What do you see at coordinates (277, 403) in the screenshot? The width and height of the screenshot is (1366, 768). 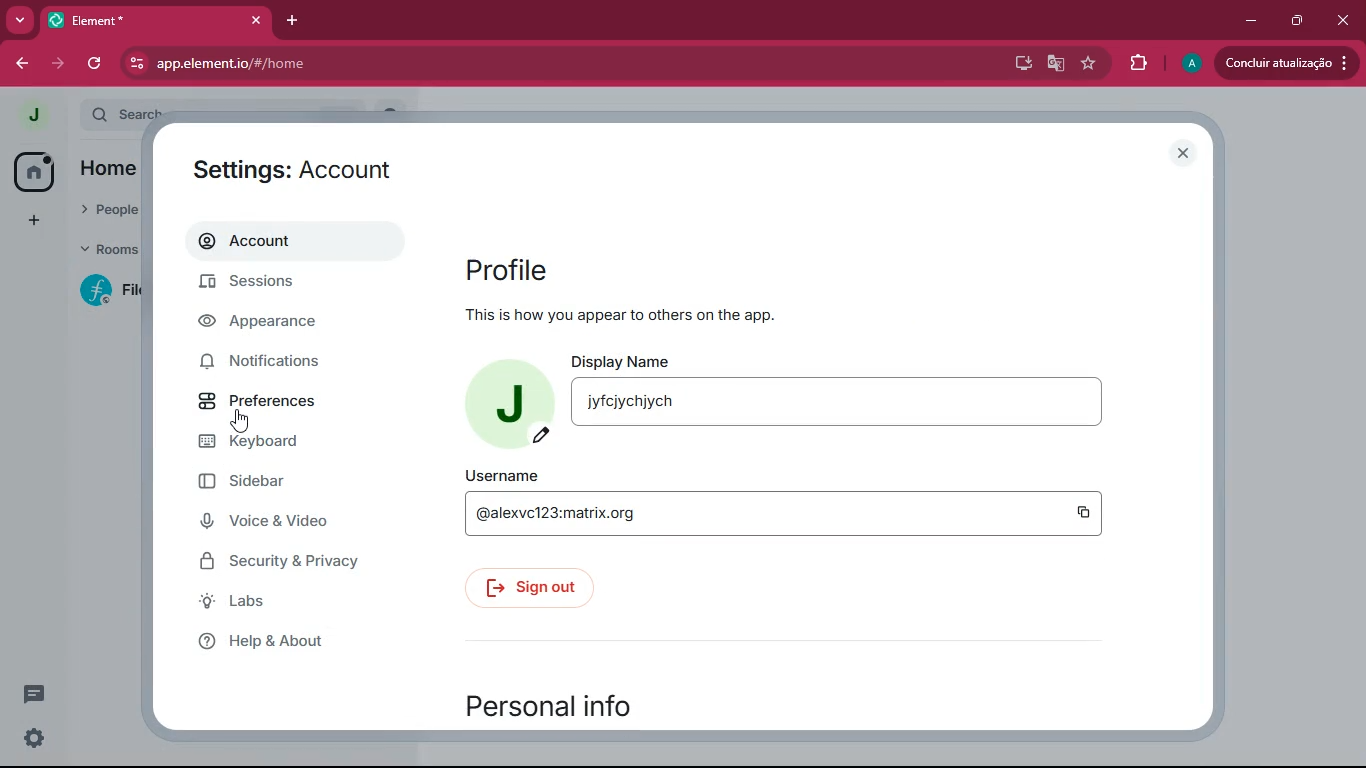 I see `preferences` at bounding box center [277, 403].